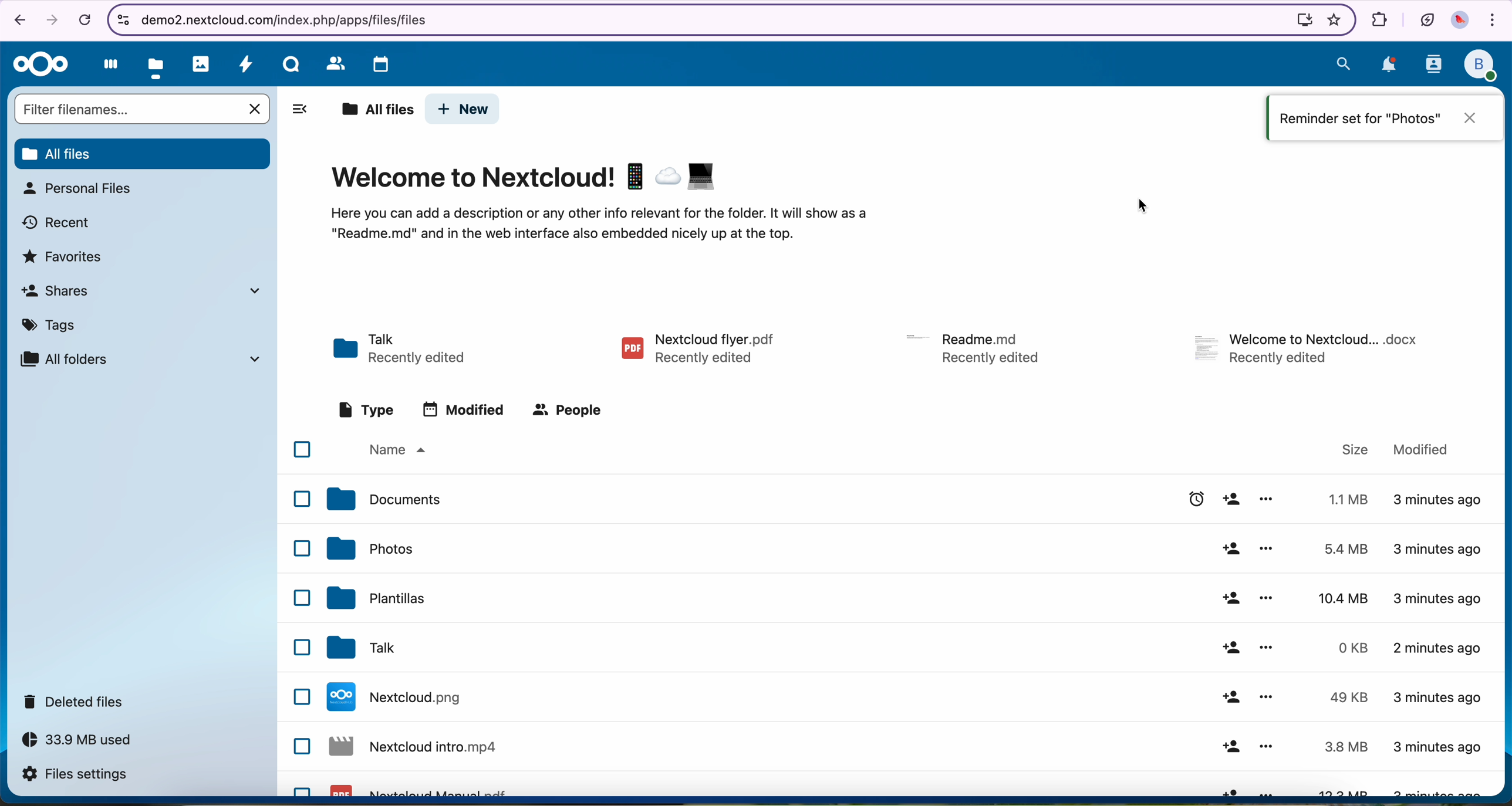 The height and width of the screenshot is (806, 1512). Describe the element at coordinates (1432, 66) in the screenshot. I see `contacts` at that location.